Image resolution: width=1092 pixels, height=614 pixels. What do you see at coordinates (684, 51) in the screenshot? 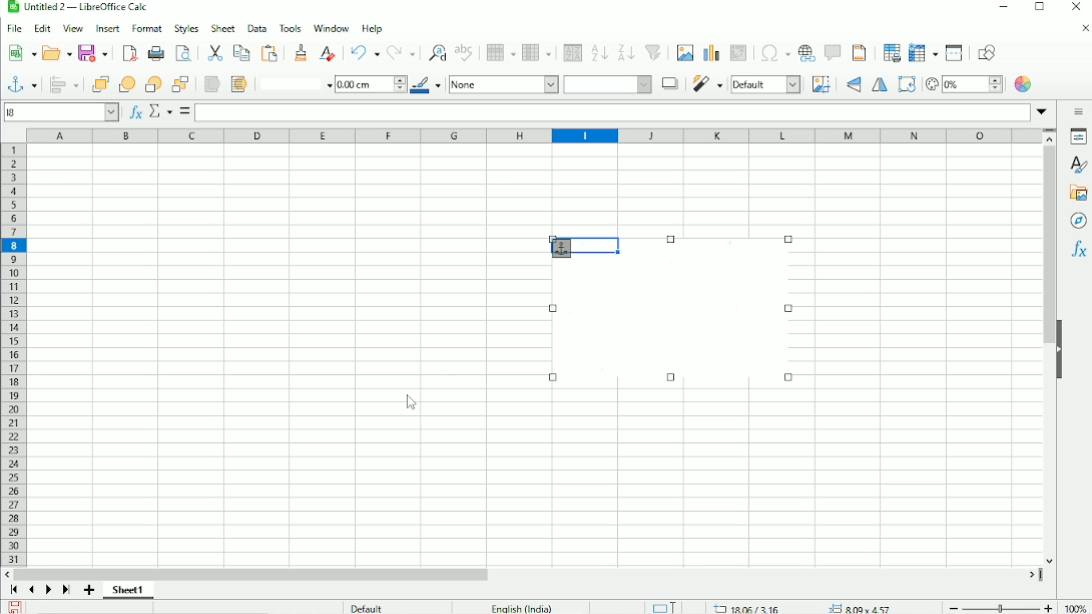
I see `Insert image` at bounding box center [684, 51].